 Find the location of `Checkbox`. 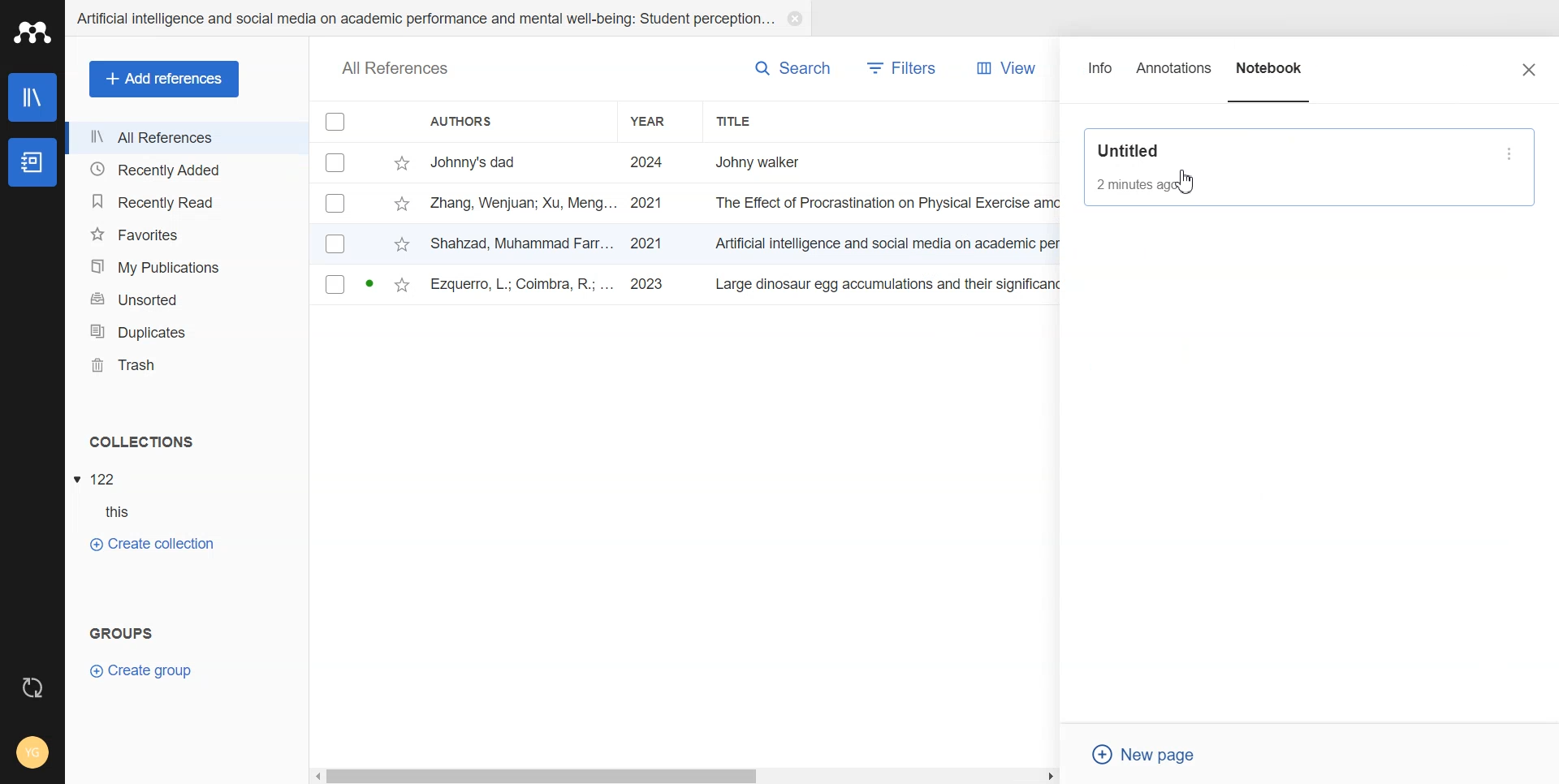

Checkbox is located at coordinates (336, 203).